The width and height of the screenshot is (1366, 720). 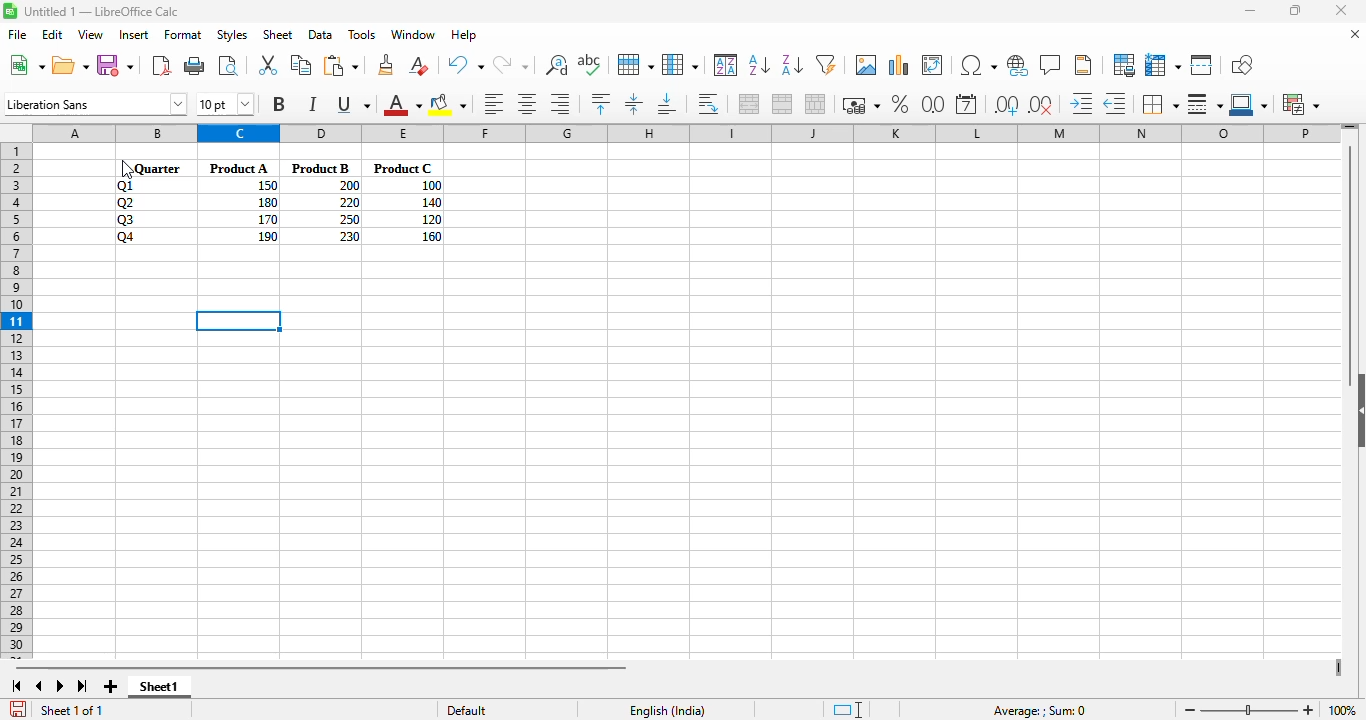 I want to click on columns, so click(x=686, y=133).